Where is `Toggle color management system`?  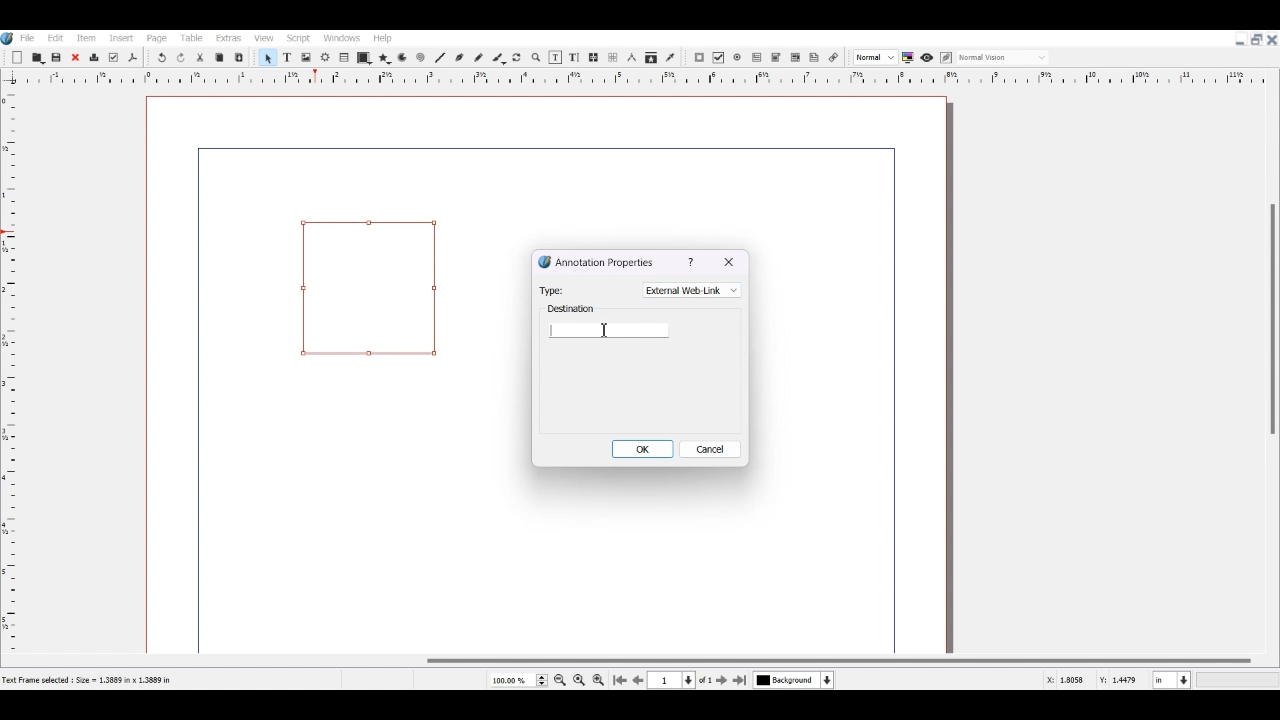 Toggle color management system is located at coordinates (909, 57).